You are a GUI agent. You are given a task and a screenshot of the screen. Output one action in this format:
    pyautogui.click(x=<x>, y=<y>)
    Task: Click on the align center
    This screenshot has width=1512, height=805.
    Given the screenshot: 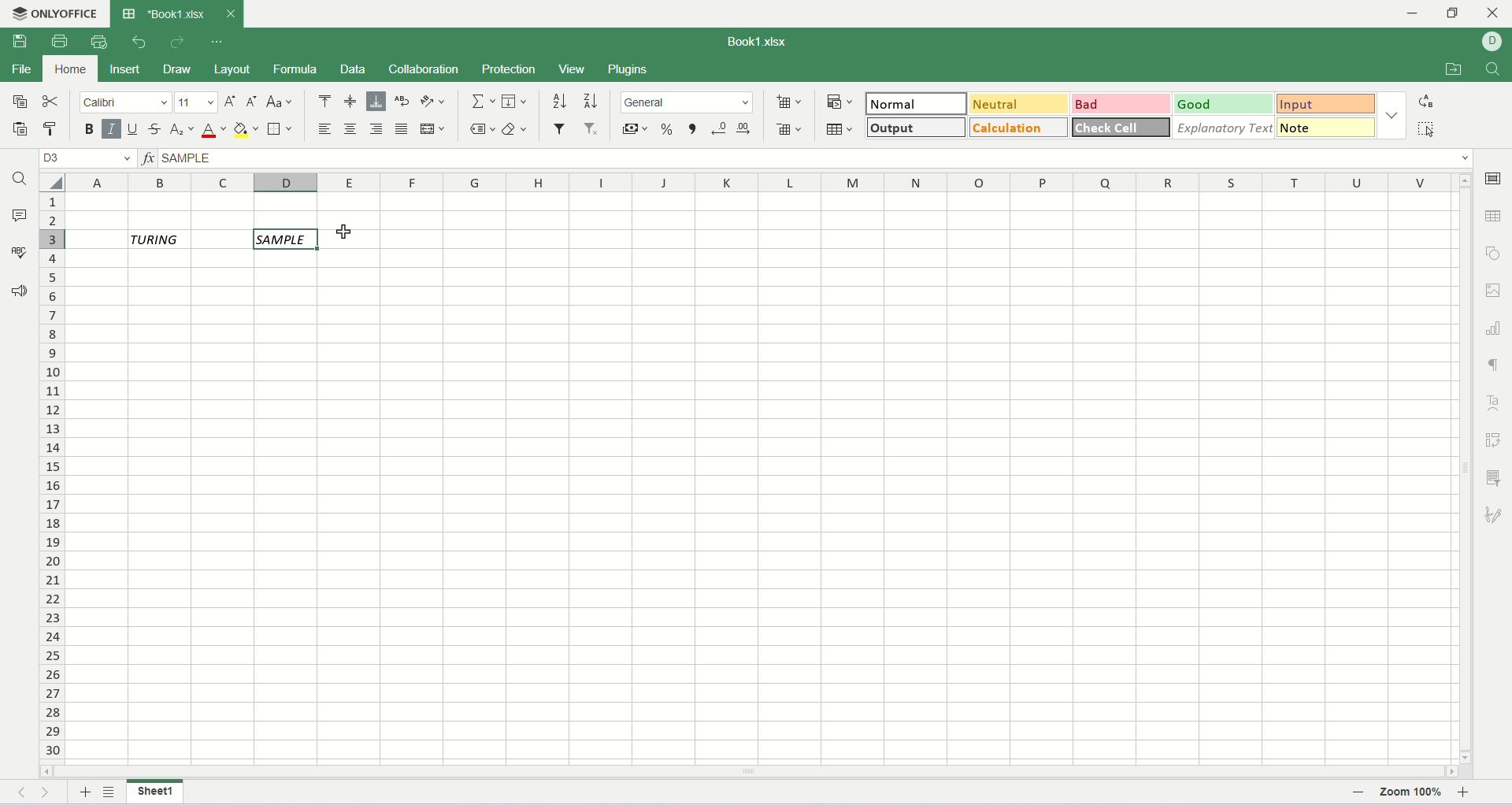 What is the action you would take?
    pyautogui.click(x=350, y=128)
    